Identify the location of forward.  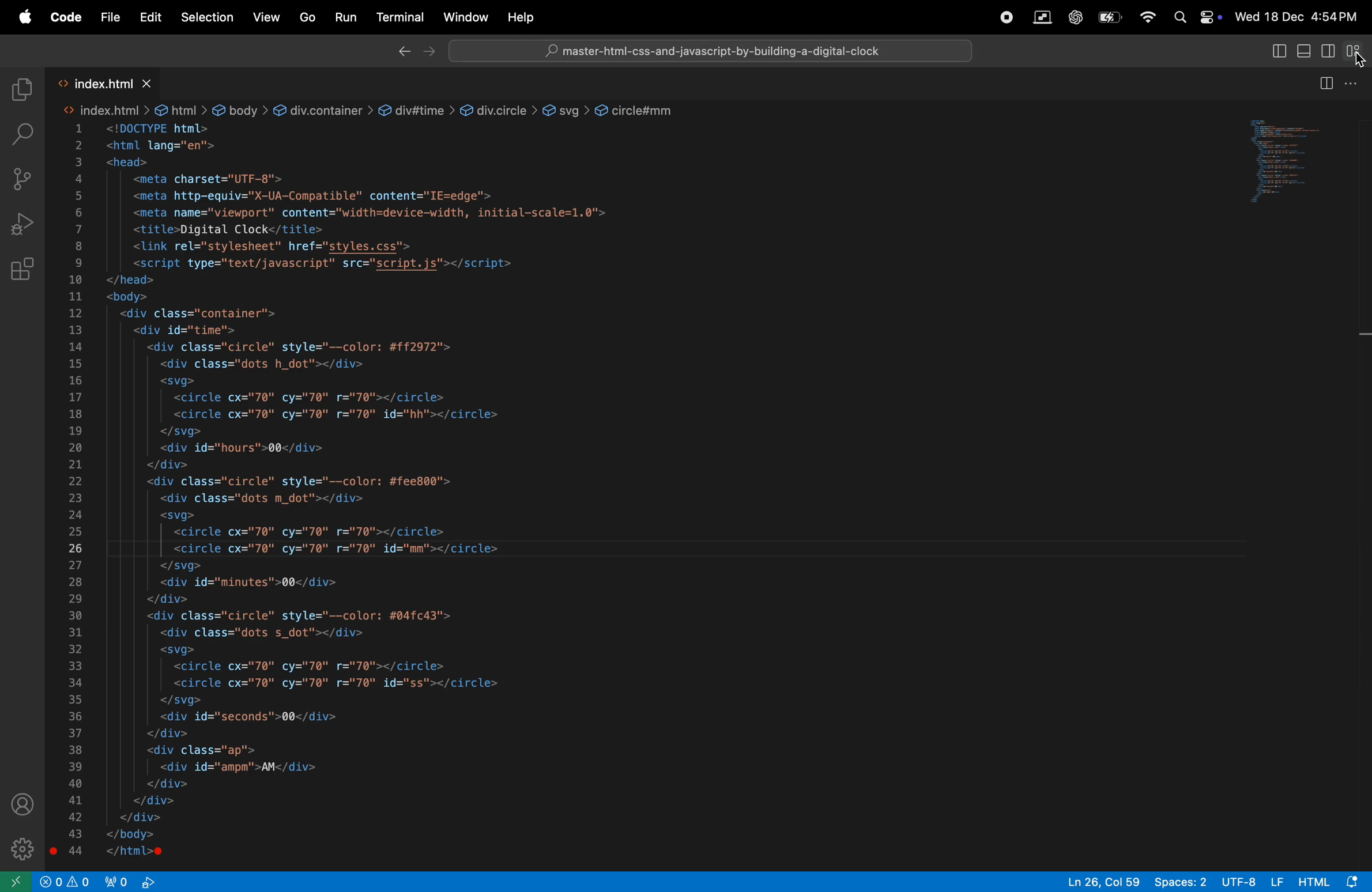
(432, 52).